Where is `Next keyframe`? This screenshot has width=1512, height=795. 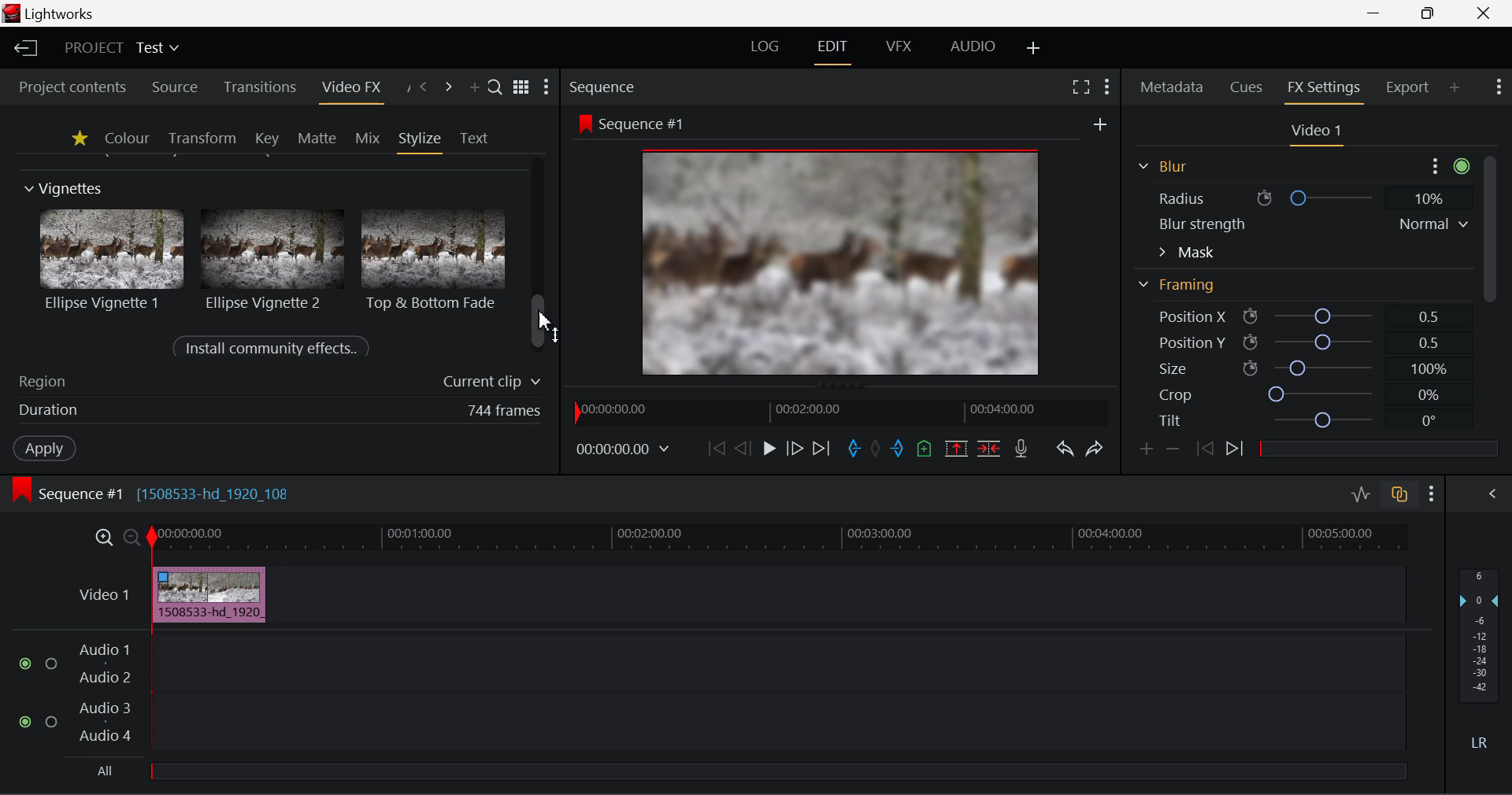 Next keyframe is located at coordinates (1235, 452).